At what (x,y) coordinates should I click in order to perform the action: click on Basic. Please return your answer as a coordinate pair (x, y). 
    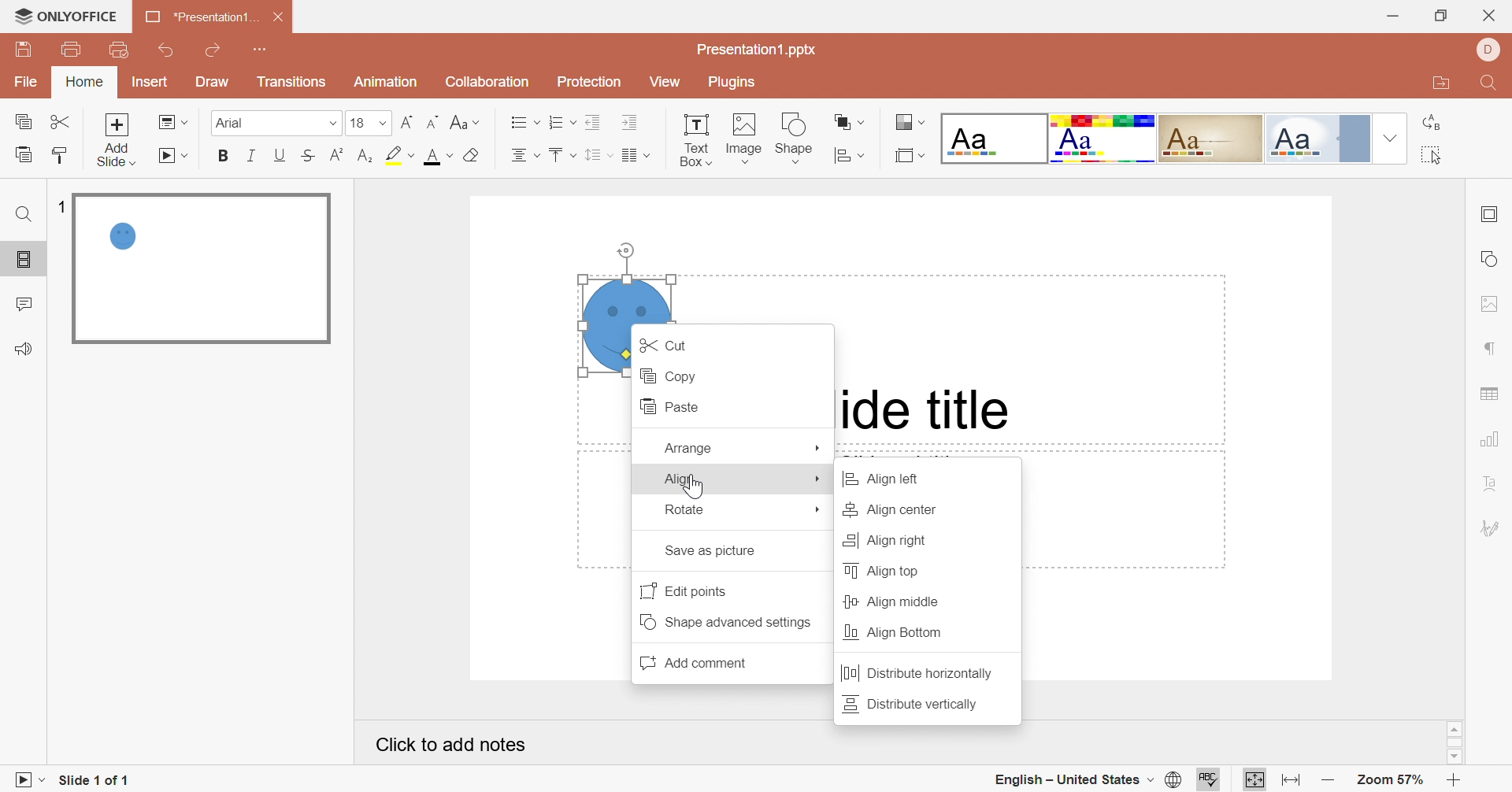
    Looking at the image, I should click on (1103, 139).